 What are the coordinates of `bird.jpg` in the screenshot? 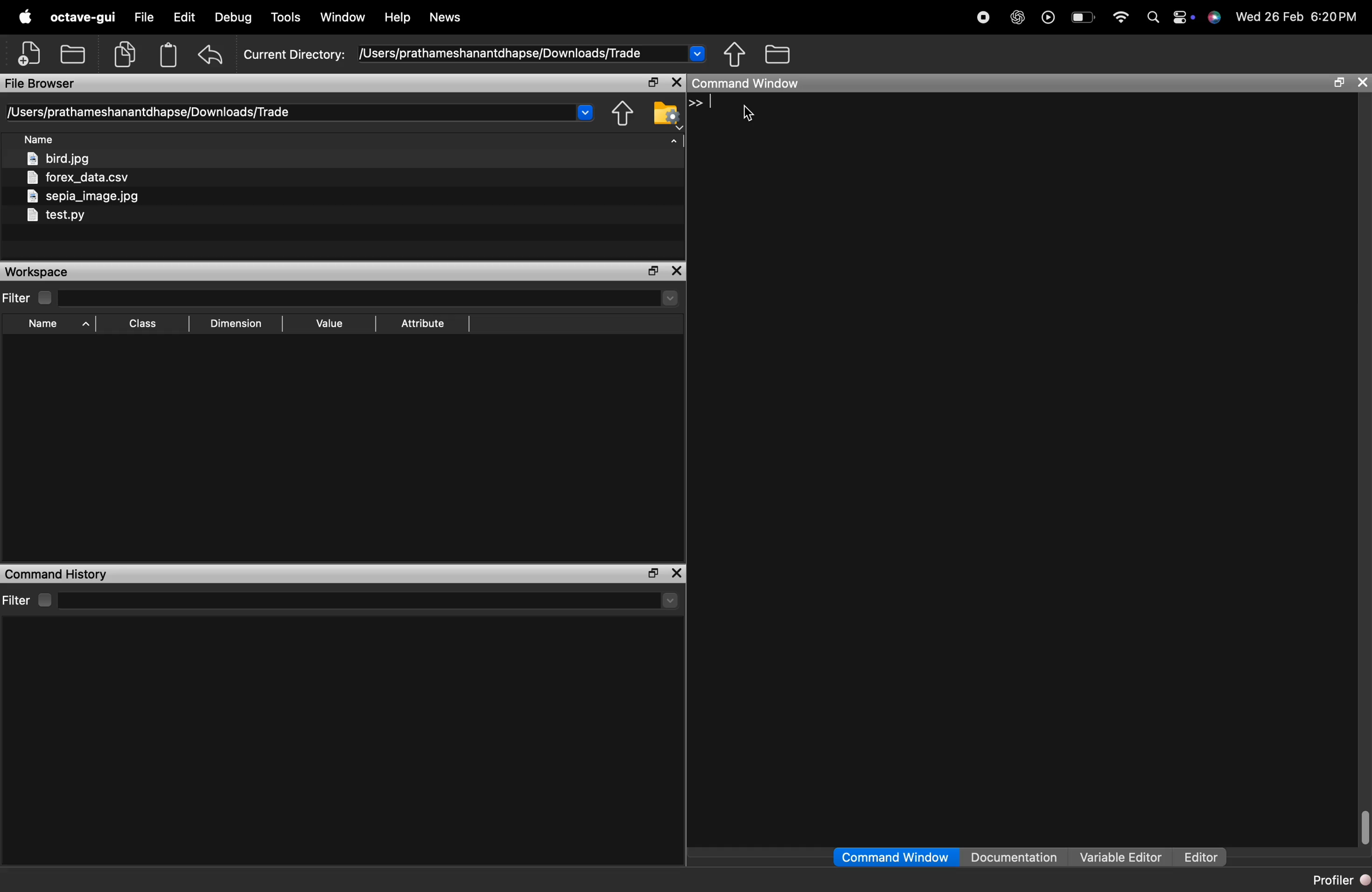 It's located at (61, 159).